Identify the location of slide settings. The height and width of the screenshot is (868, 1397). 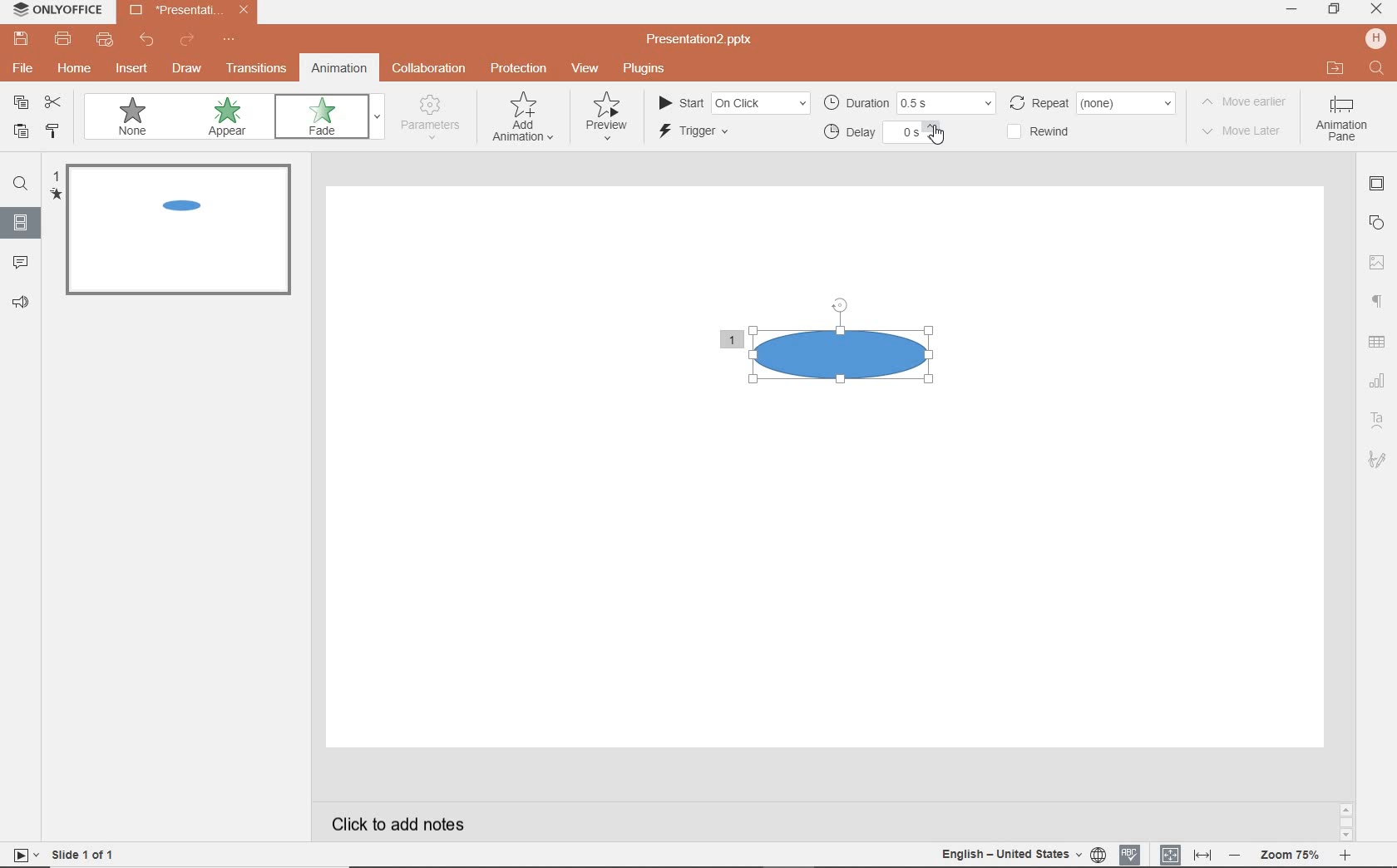
(1375, 184).